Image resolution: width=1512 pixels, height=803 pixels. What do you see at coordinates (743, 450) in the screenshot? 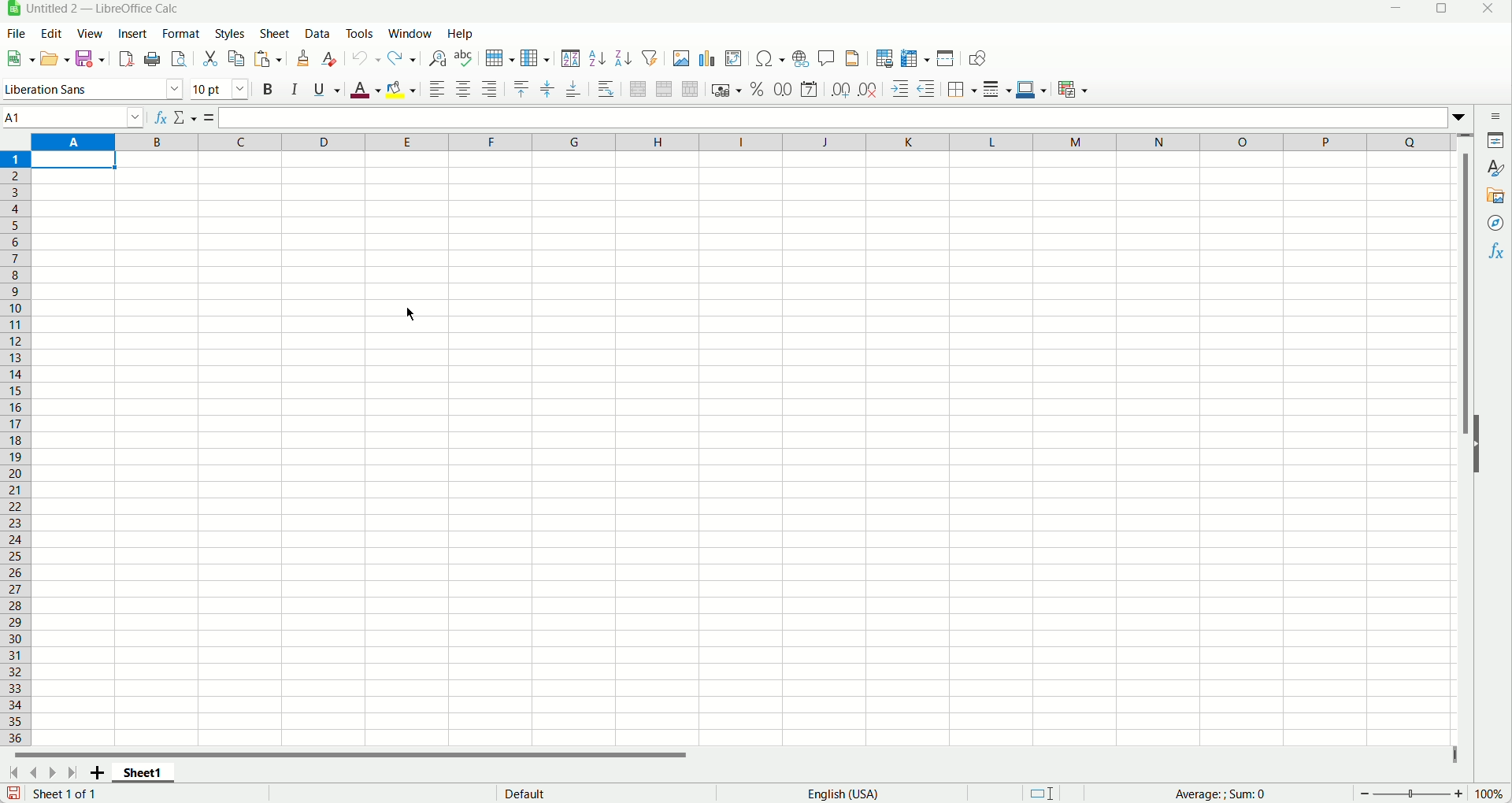
I see `Workspace` at bounding box center [743, 450].